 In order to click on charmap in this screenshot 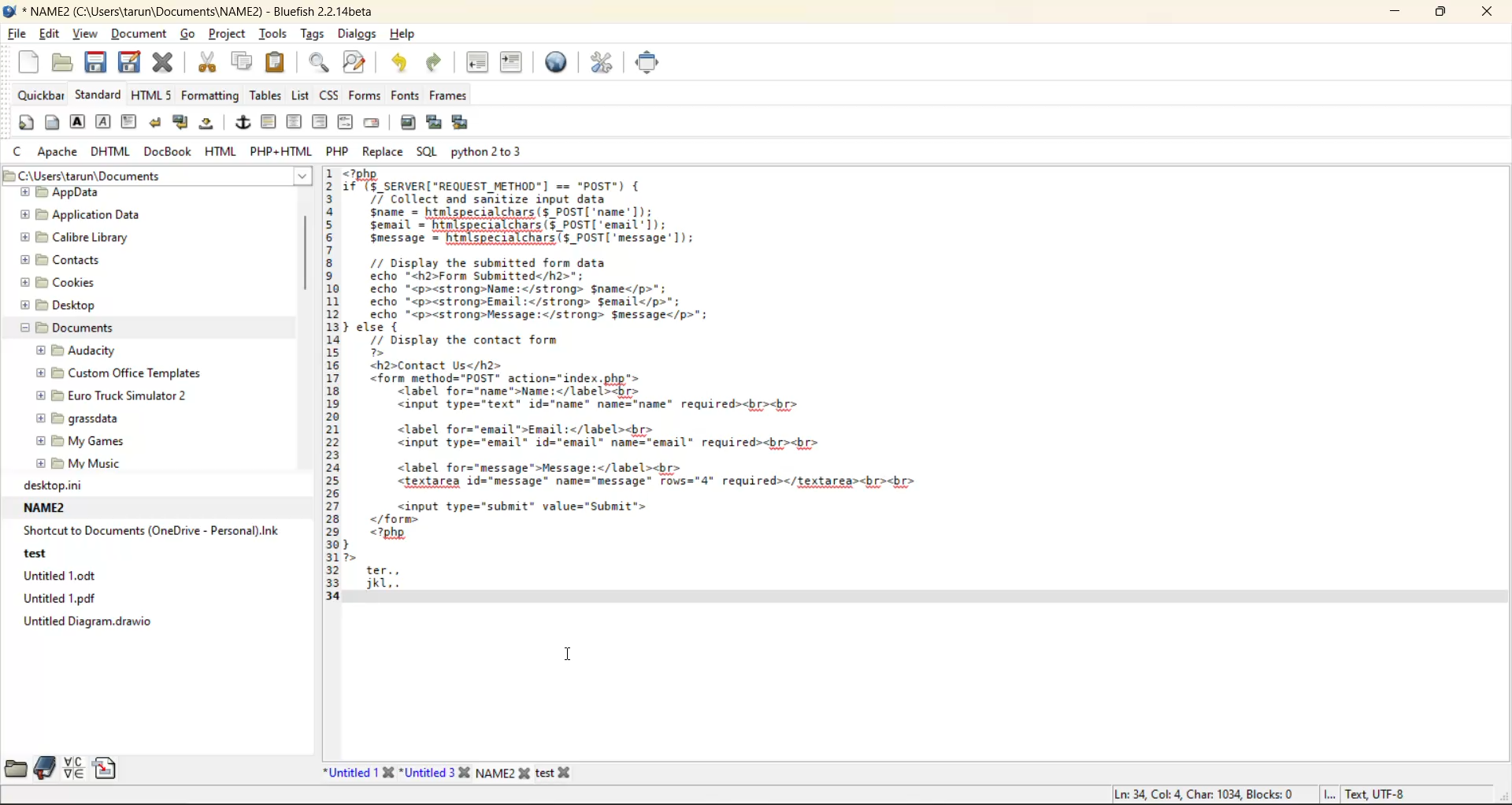, I will do `click(74, 768)`.